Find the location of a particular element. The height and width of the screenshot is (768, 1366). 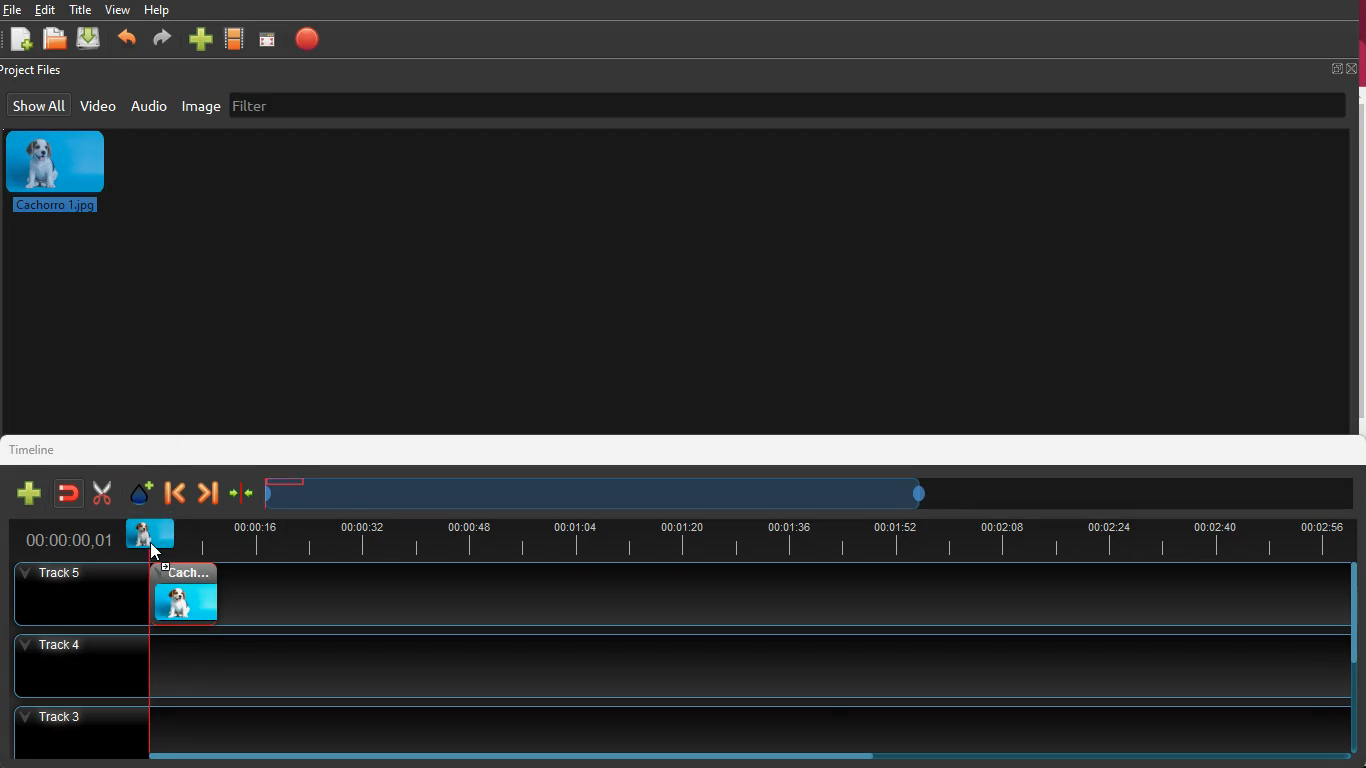

video is located at coordinates (96, 108).